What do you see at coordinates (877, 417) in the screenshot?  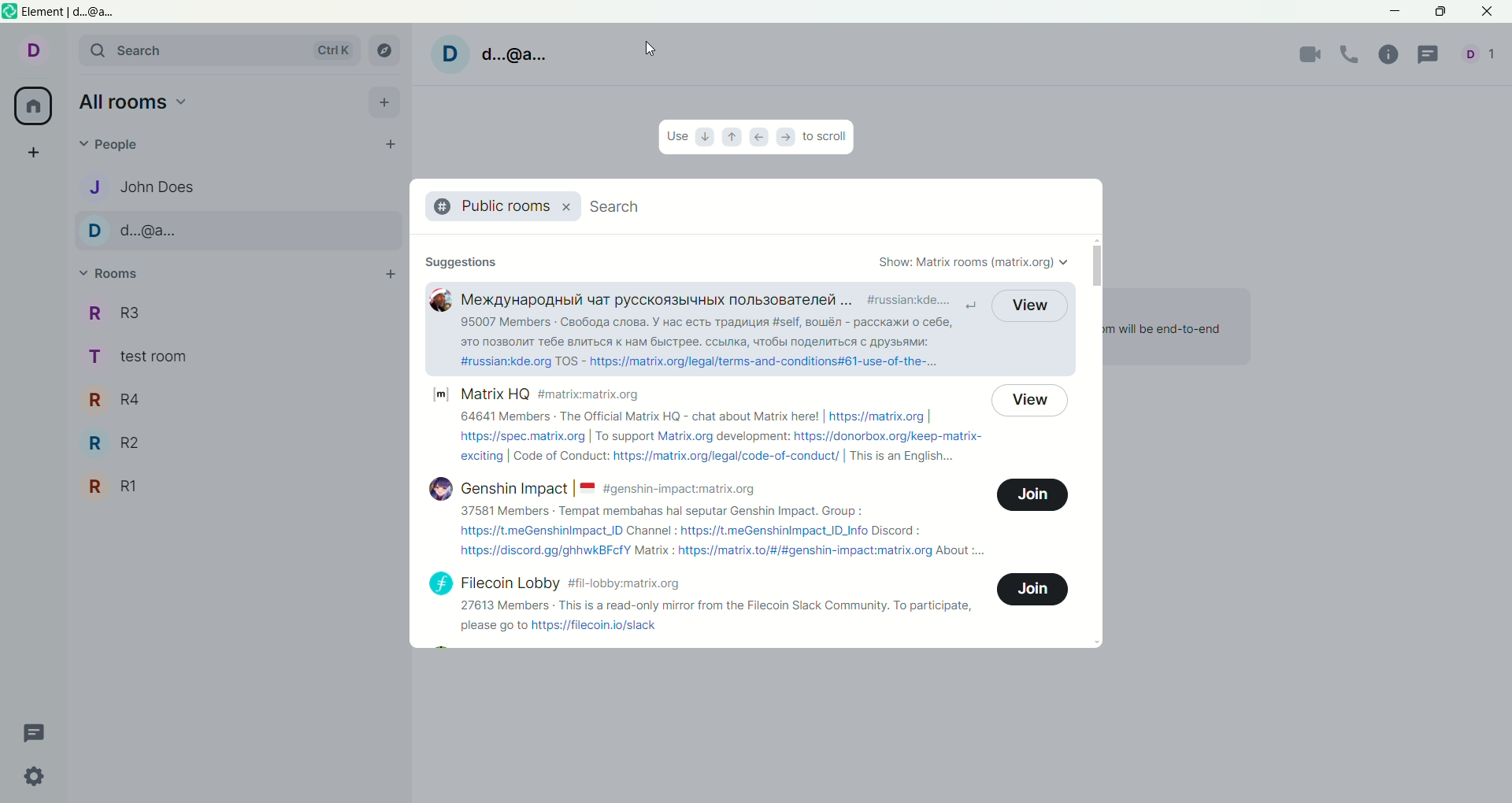 I see `https://matrix.org` at bounding box center [877, 417].